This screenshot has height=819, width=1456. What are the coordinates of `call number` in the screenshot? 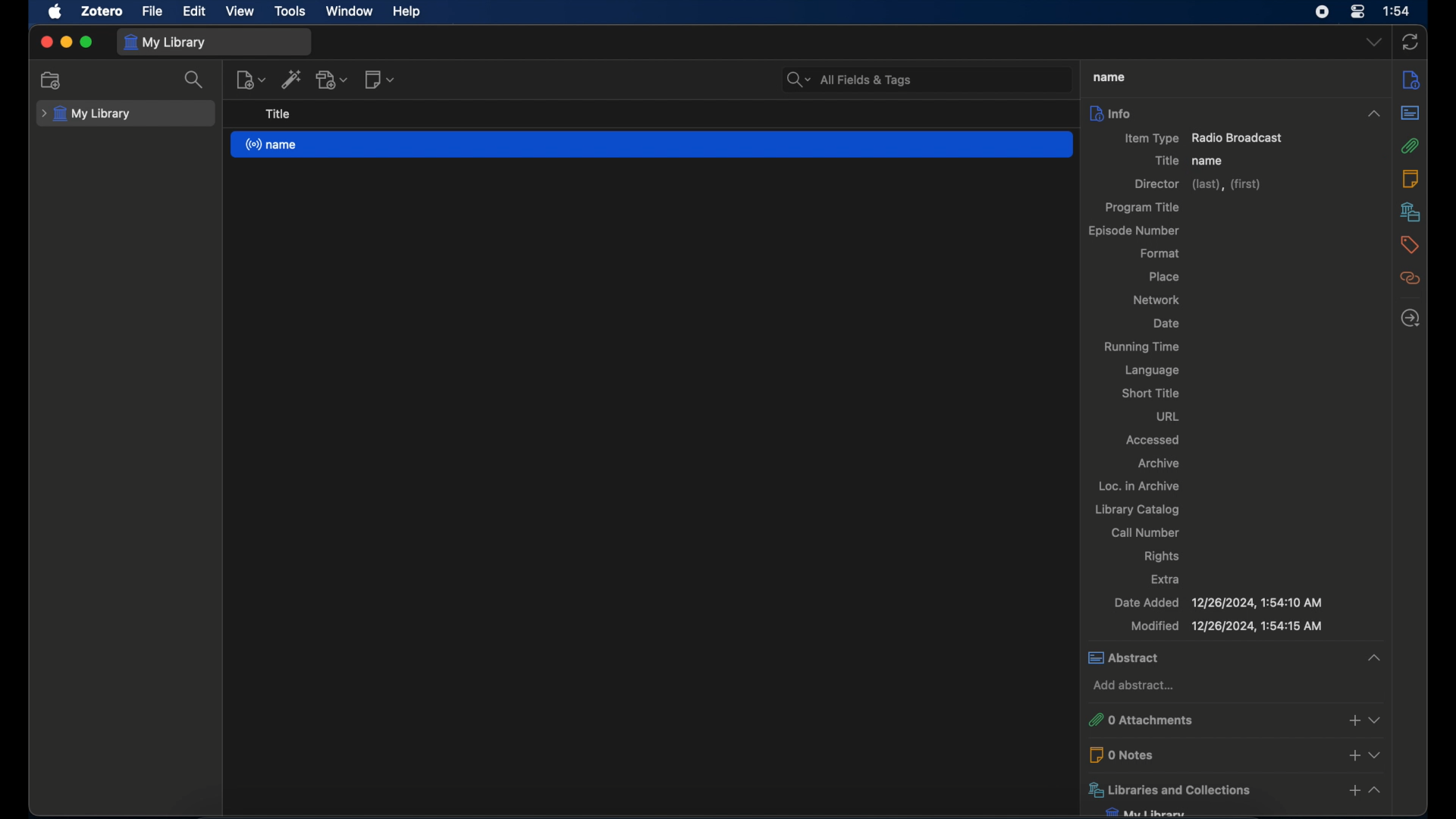 It's located at (1145, 532).